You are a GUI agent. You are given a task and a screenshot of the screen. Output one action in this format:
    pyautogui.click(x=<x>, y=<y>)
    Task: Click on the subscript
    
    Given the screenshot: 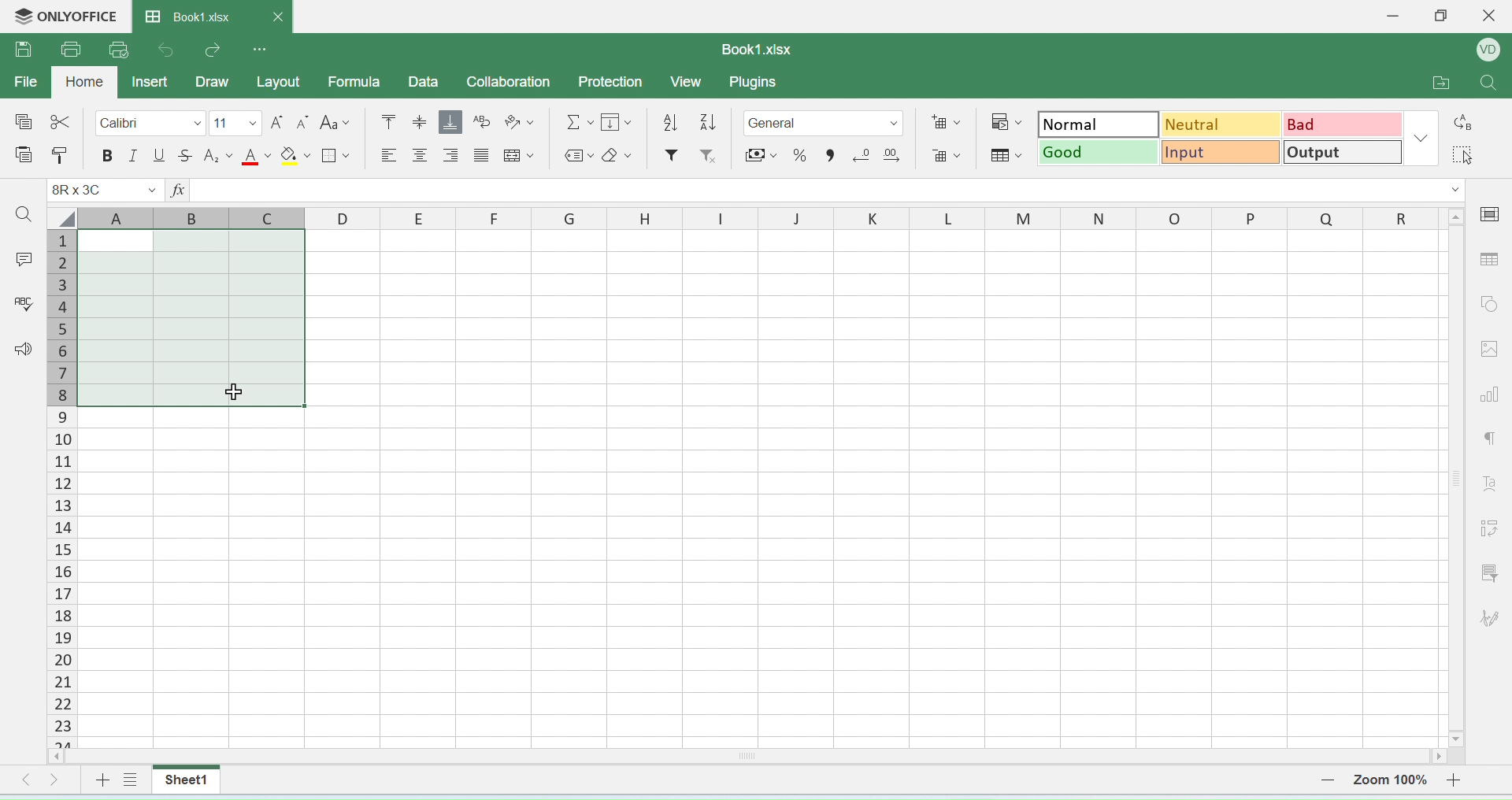 What is the action you would take?
    pyautogui.click(x=217, y=155)
    